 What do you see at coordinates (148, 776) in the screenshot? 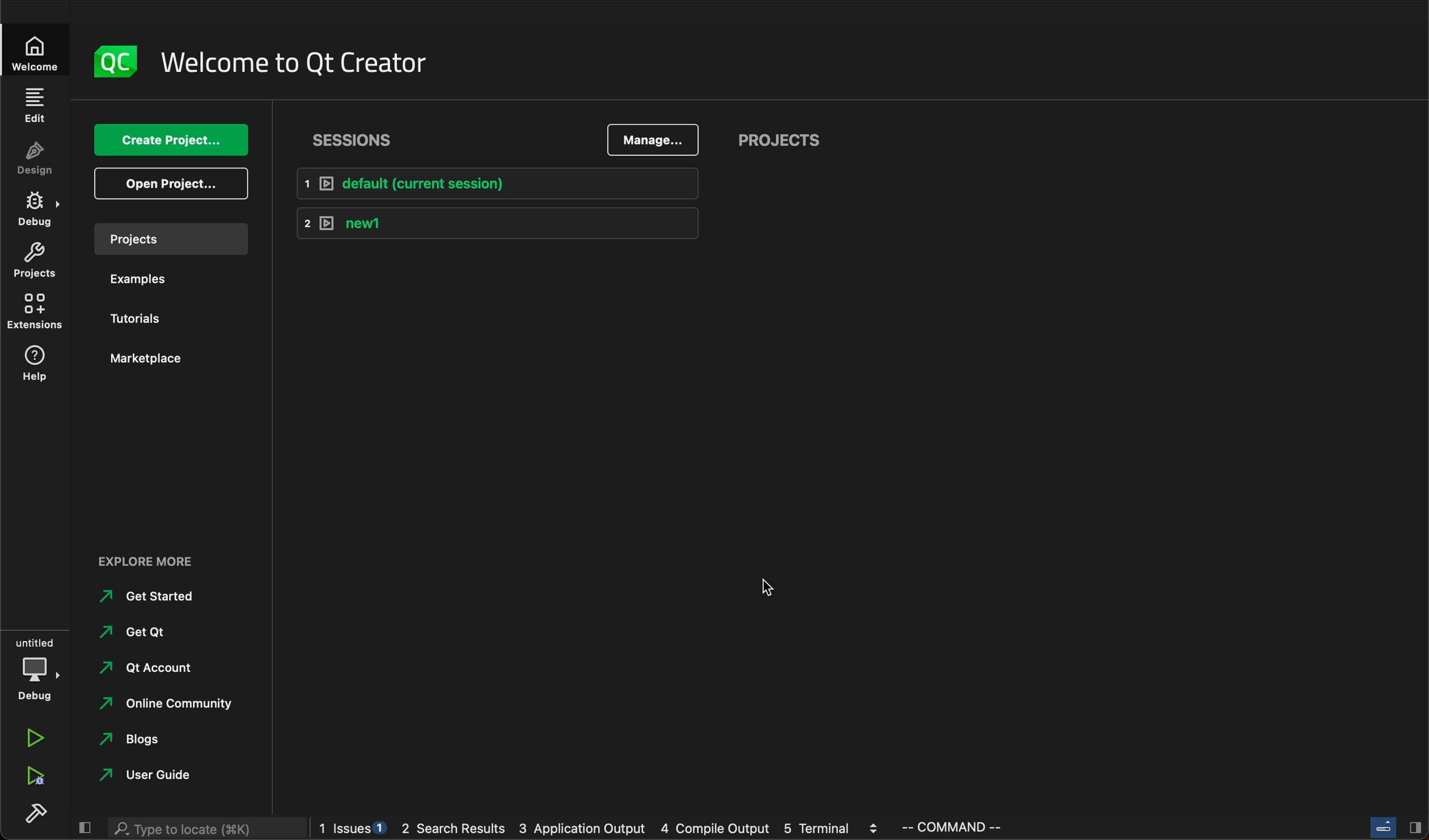
I see `use guide` at bounding box center [148, 776].